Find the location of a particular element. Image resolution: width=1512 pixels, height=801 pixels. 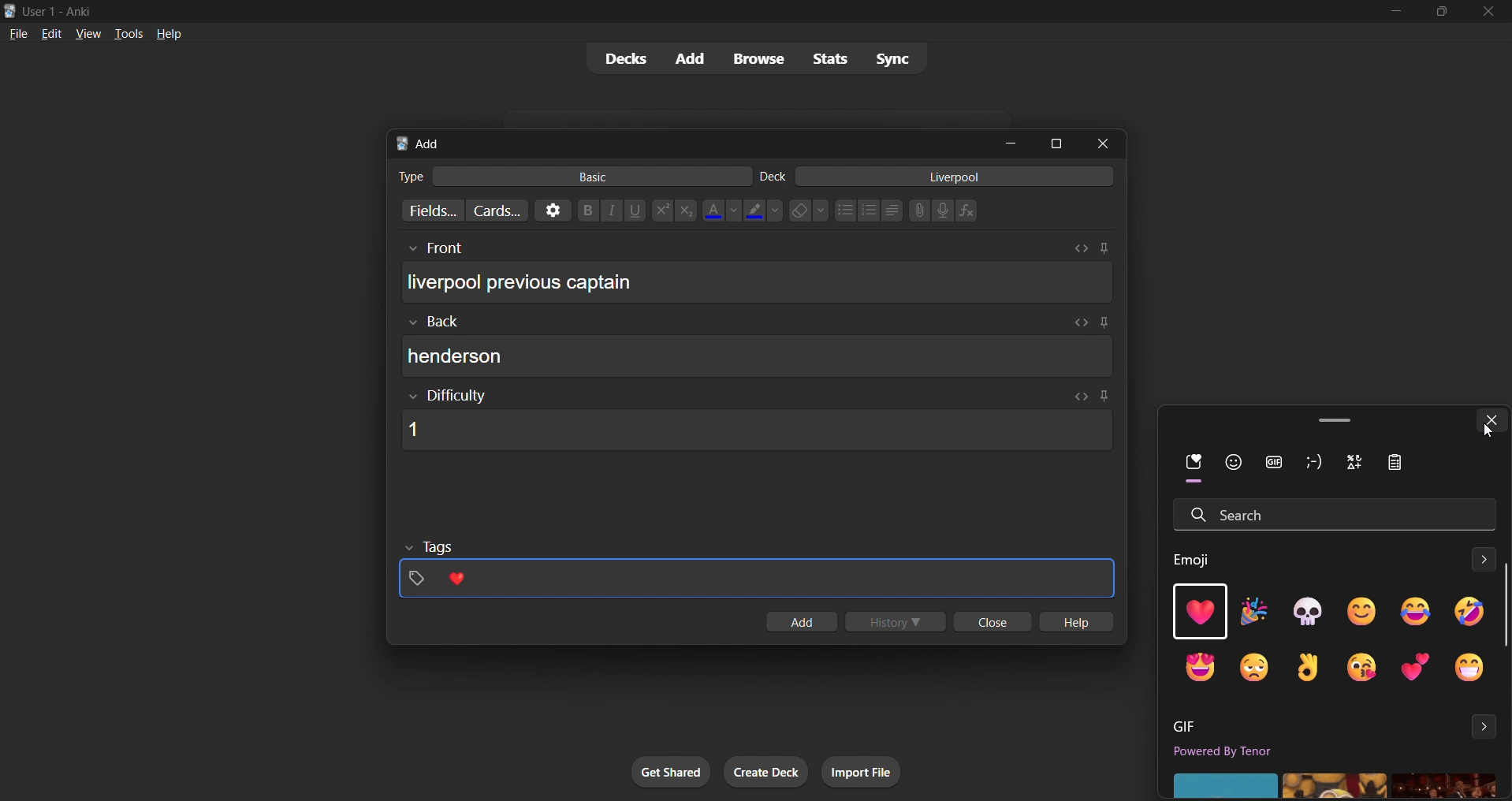

Scrollbar is located at coordinates (1503, 605).